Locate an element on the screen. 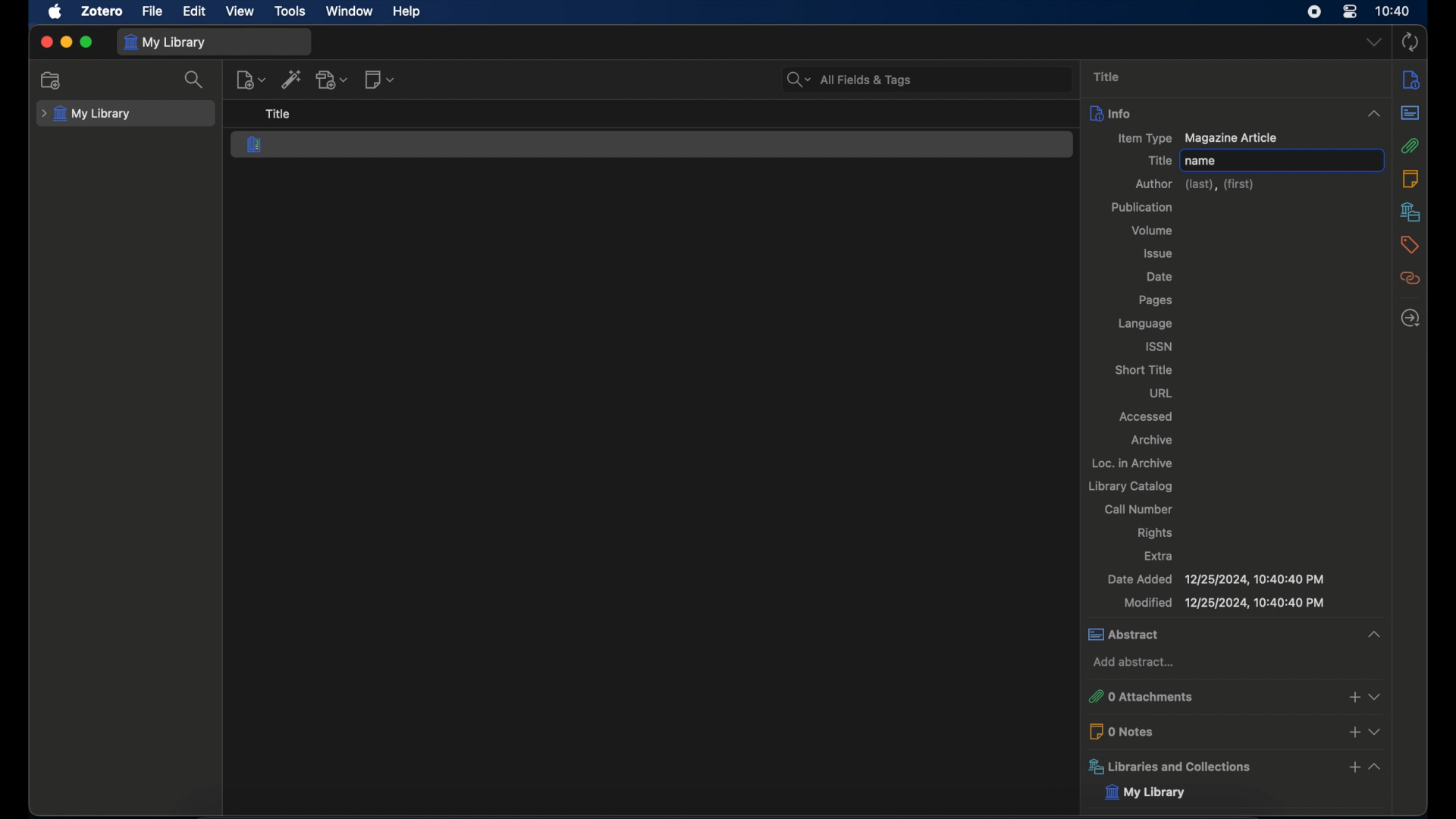  add abstract is located at coordinates (1134, 662).